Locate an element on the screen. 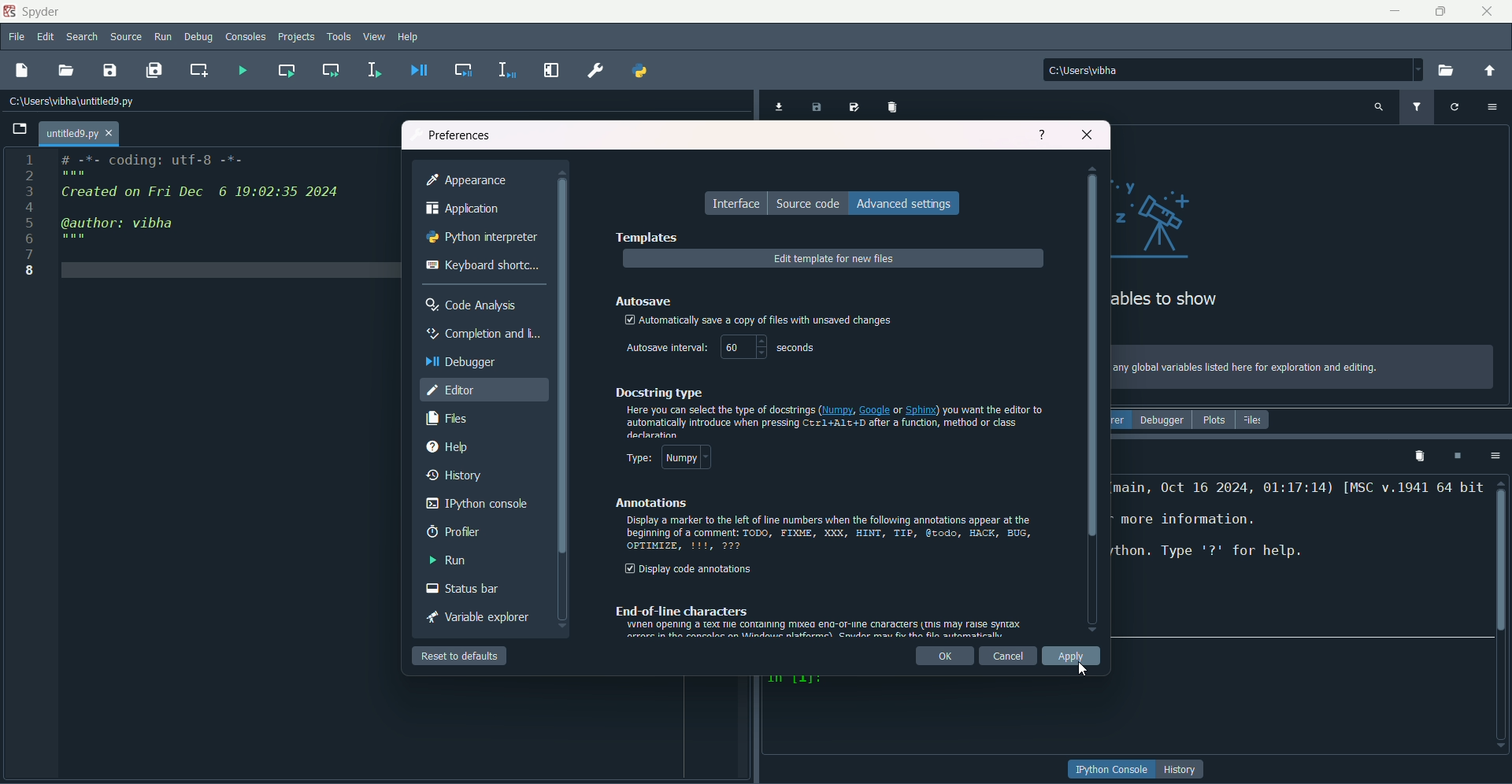  refresh variable is located at coordinates (1455, 105).